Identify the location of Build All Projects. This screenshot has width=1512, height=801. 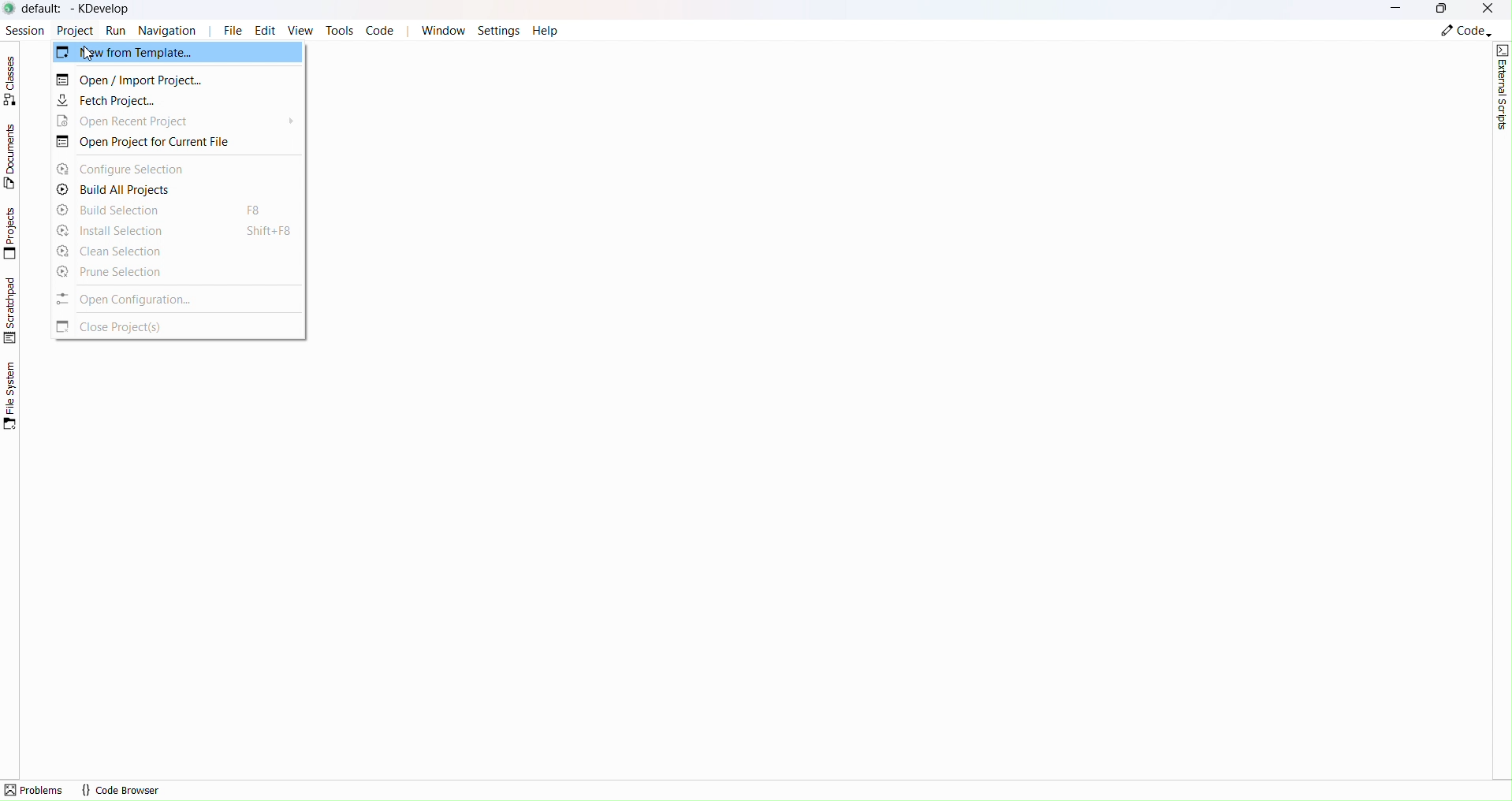
(139, 190).